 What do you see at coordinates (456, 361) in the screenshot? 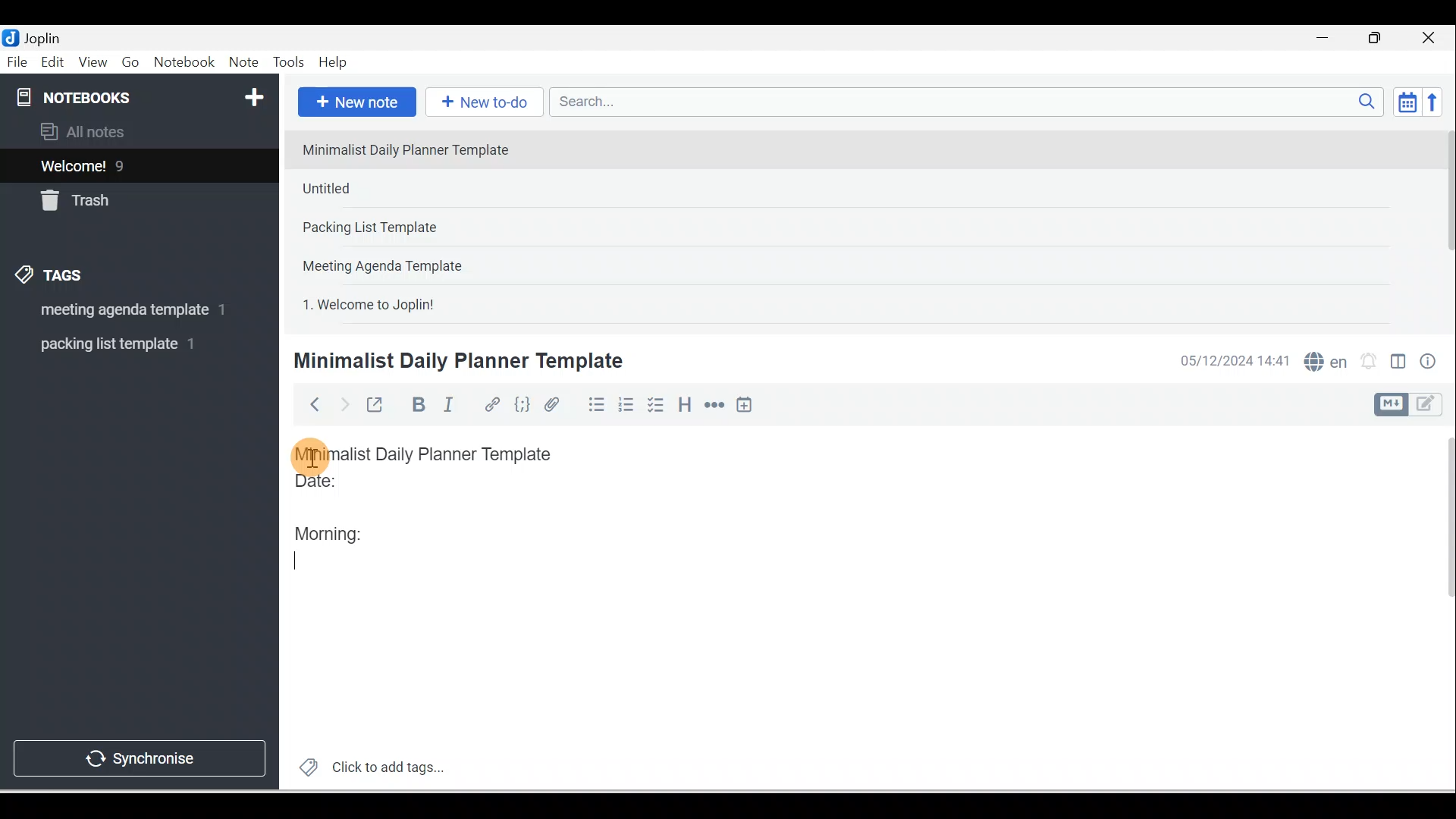
I see `Minimalist Daily Planner Template` at bounding box center [456, 361].